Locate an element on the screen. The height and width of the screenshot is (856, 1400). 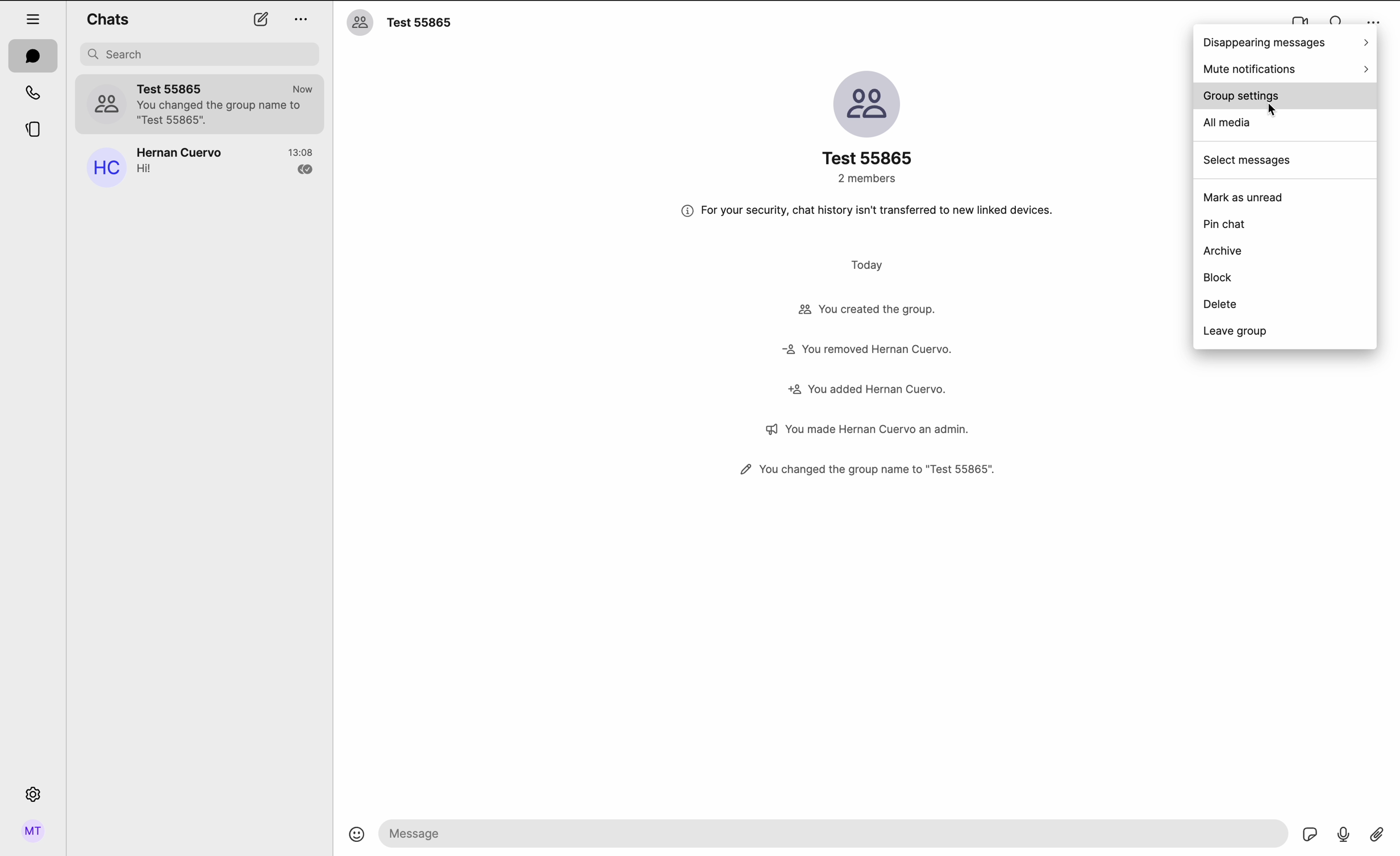
all media is located at coordinates (1227, 124).